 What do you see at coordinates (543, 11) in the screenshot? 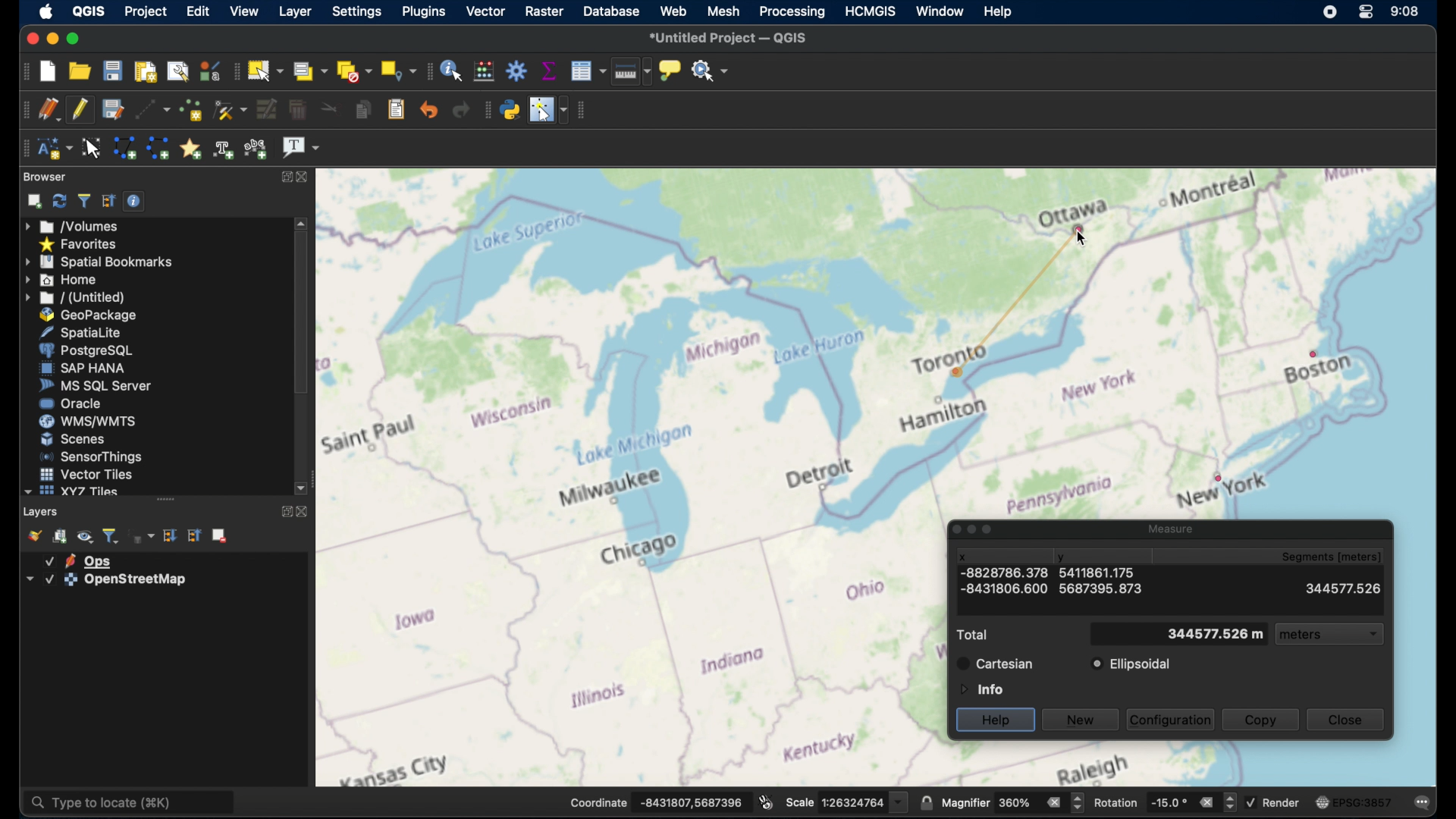
I see `raster` at bounding box center [543, 11].